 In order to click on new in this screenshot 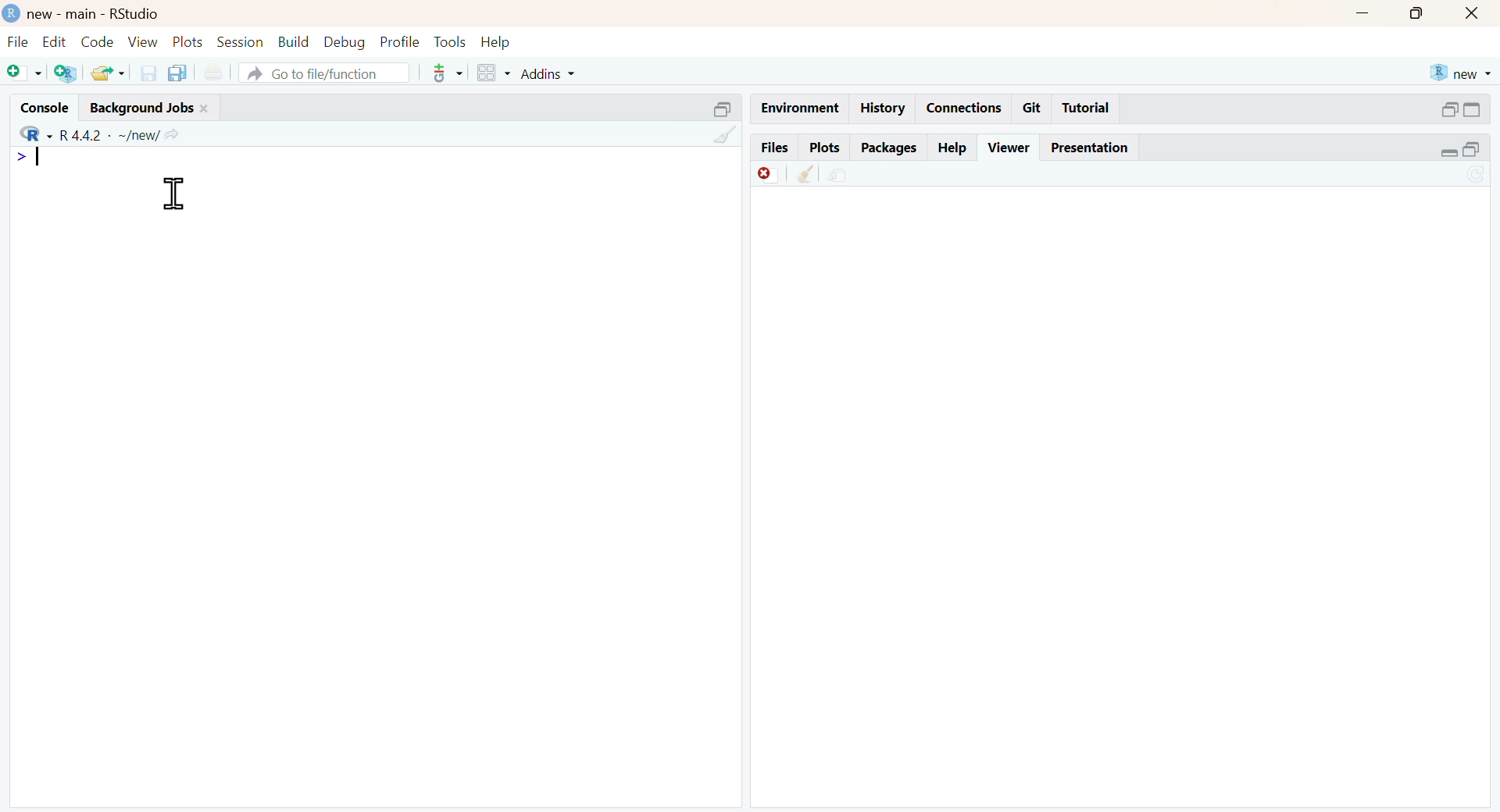, I will do `click(1462, 74)`.